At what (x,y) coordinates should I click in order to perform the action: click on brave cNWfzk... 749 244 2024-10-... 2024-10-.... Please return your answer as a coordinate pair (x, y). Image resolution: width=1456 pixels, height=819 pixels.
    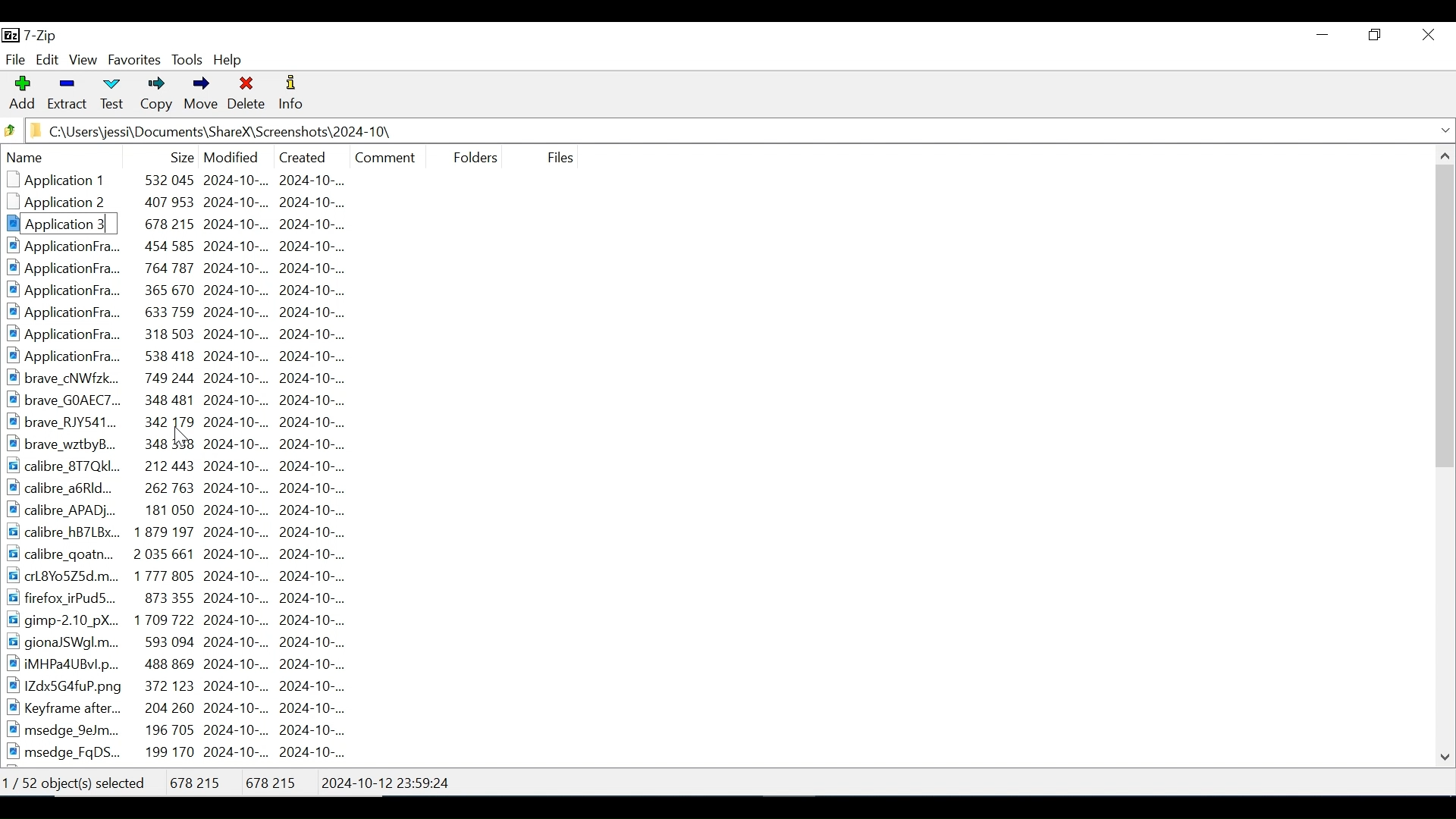
    Looking at the image, I should click on (187, 378).